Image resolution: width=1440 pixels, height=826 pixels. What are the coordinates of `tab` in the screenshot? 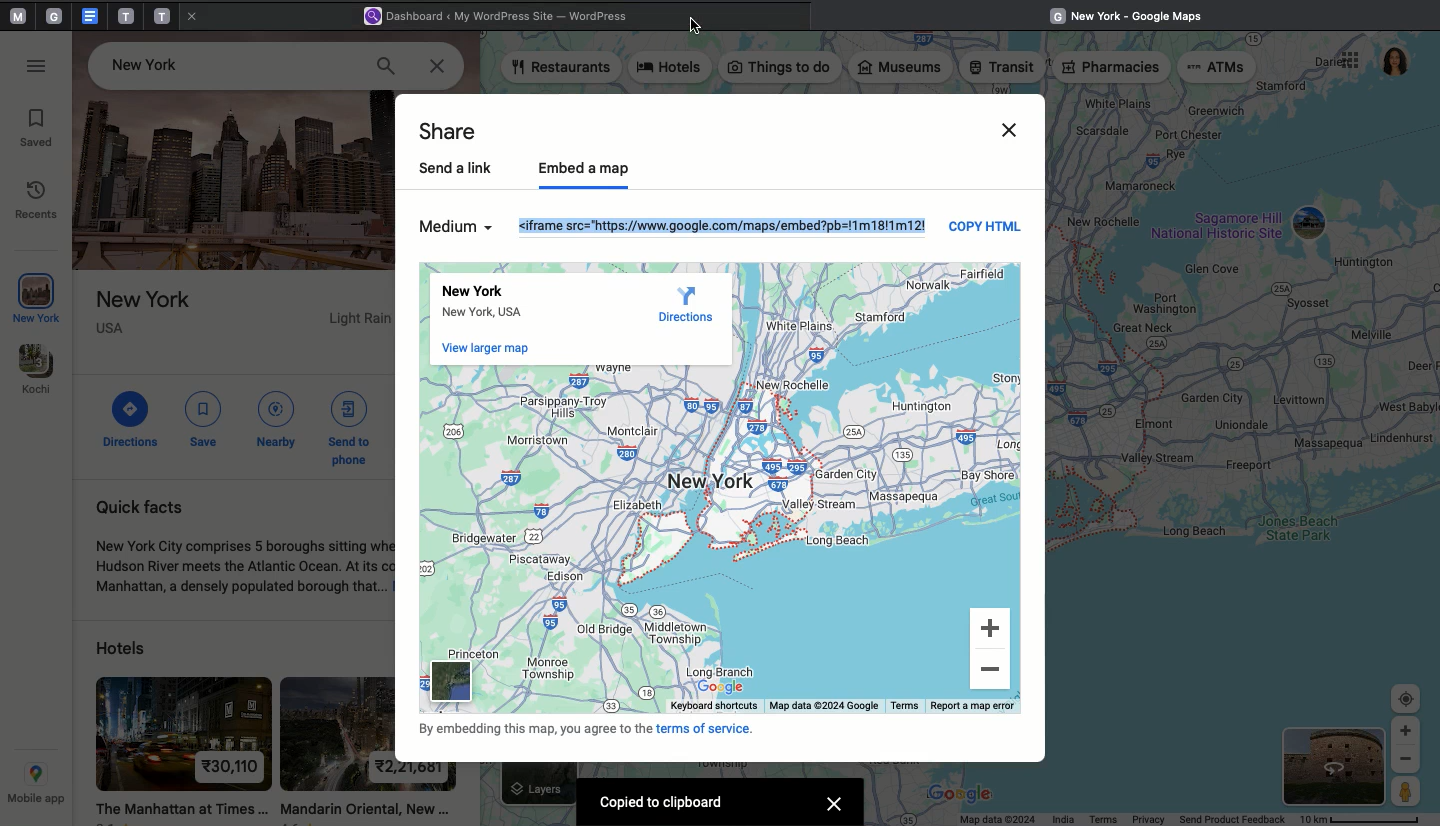 It's located at (164, 15).